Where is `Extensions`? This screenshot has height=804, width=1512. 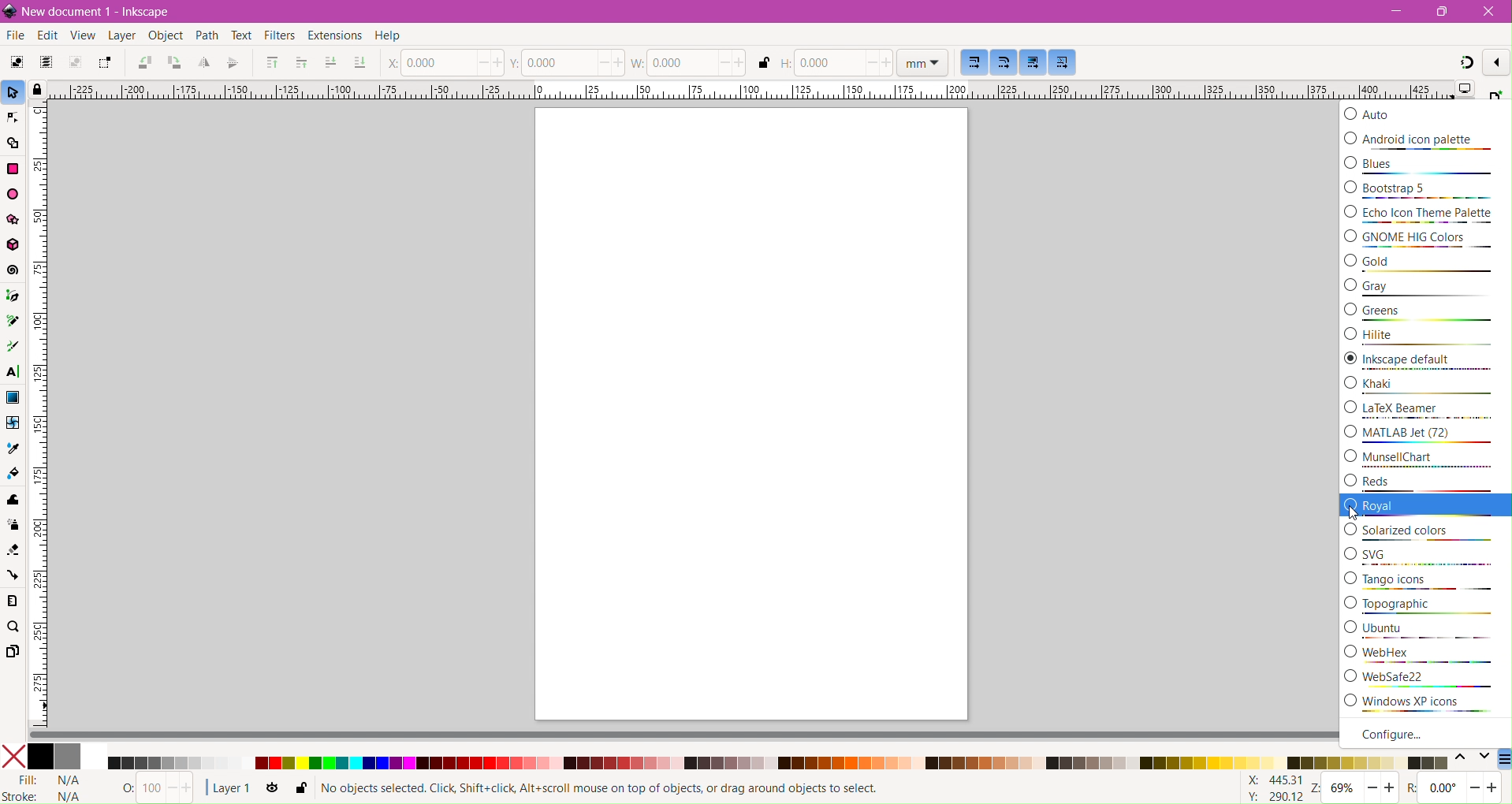 Extensions is located at coordinates (333, 36).